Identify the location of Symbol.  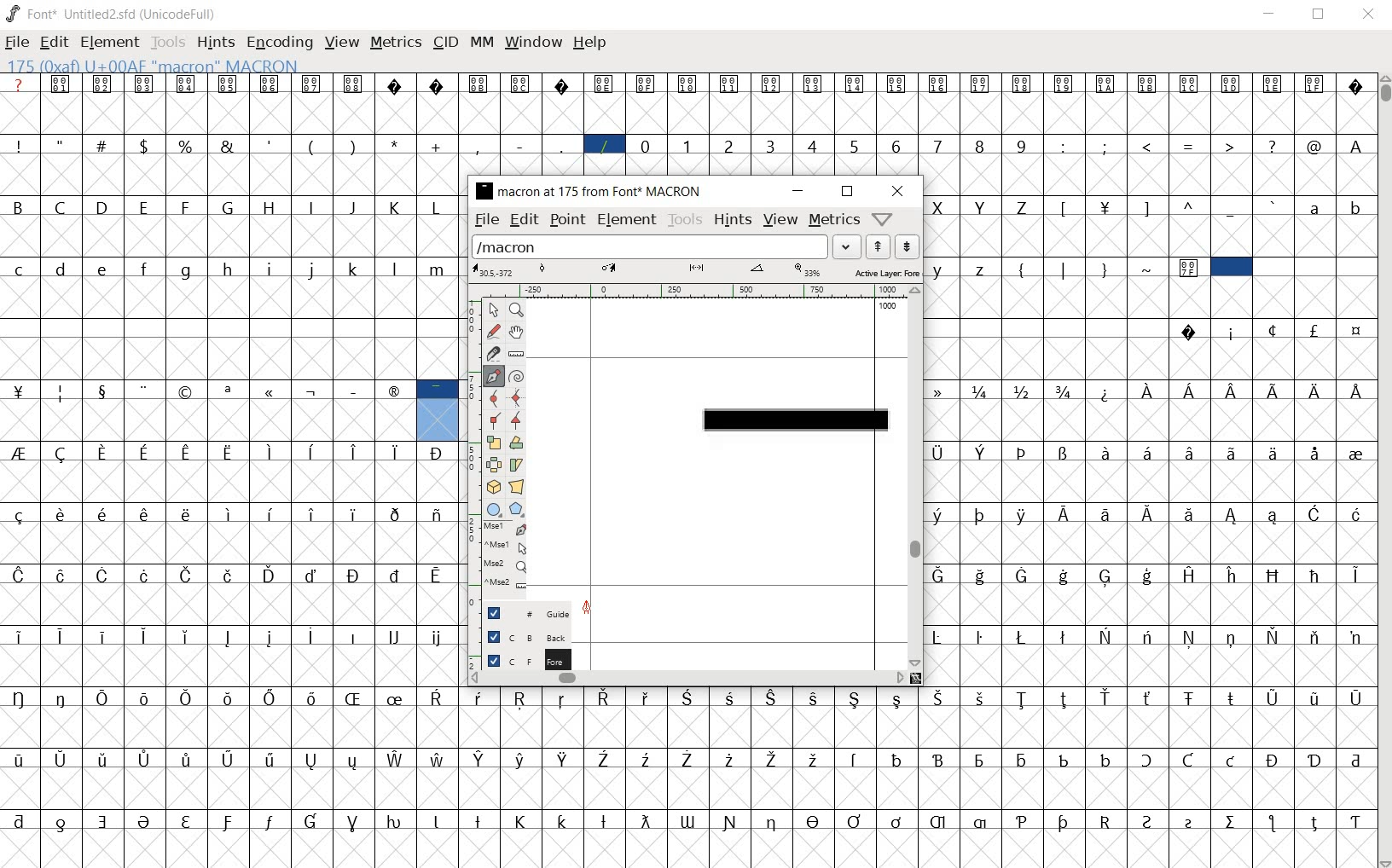
(1191, 638).